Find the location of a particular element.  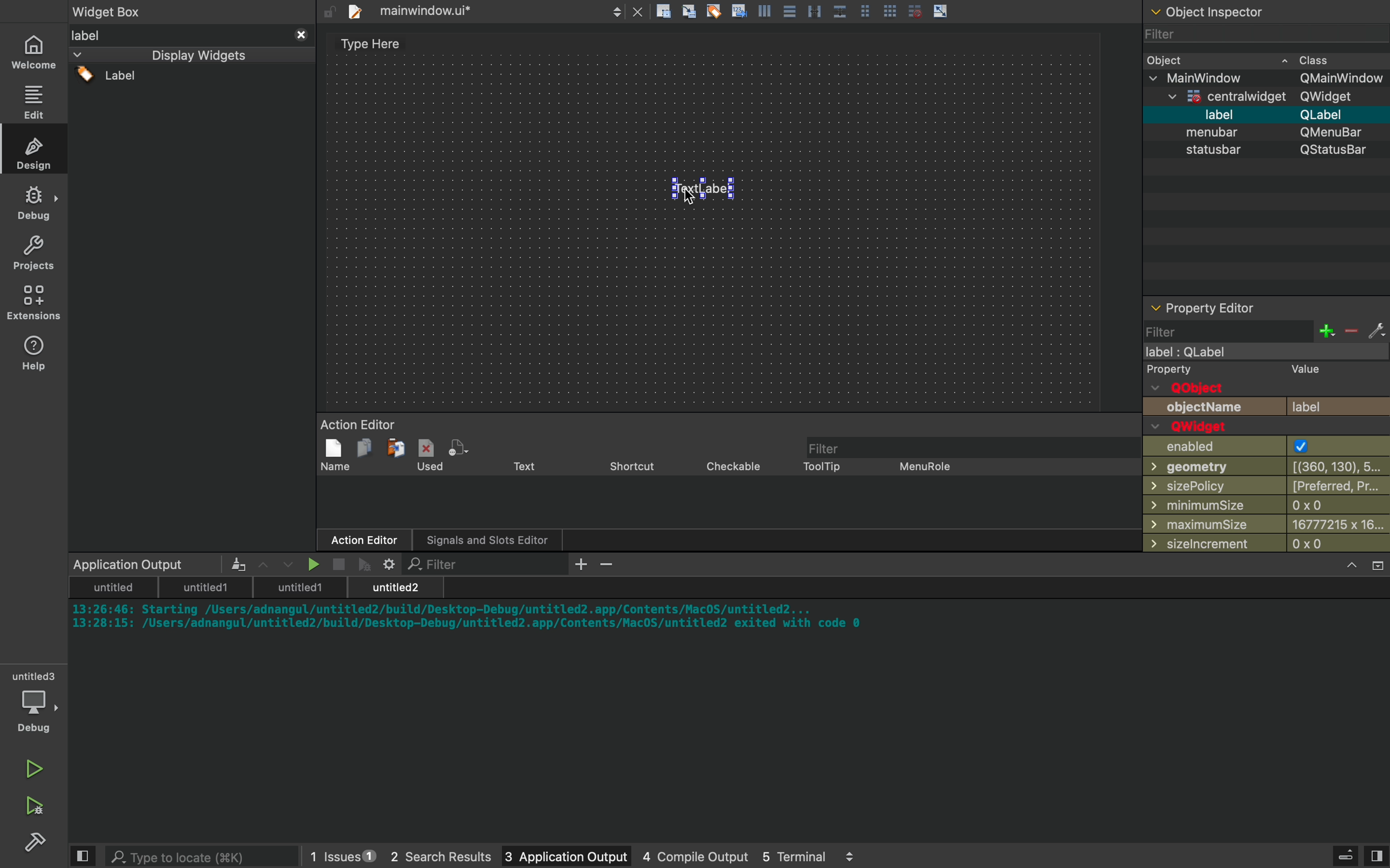

run is located at coordinates (34, 764).